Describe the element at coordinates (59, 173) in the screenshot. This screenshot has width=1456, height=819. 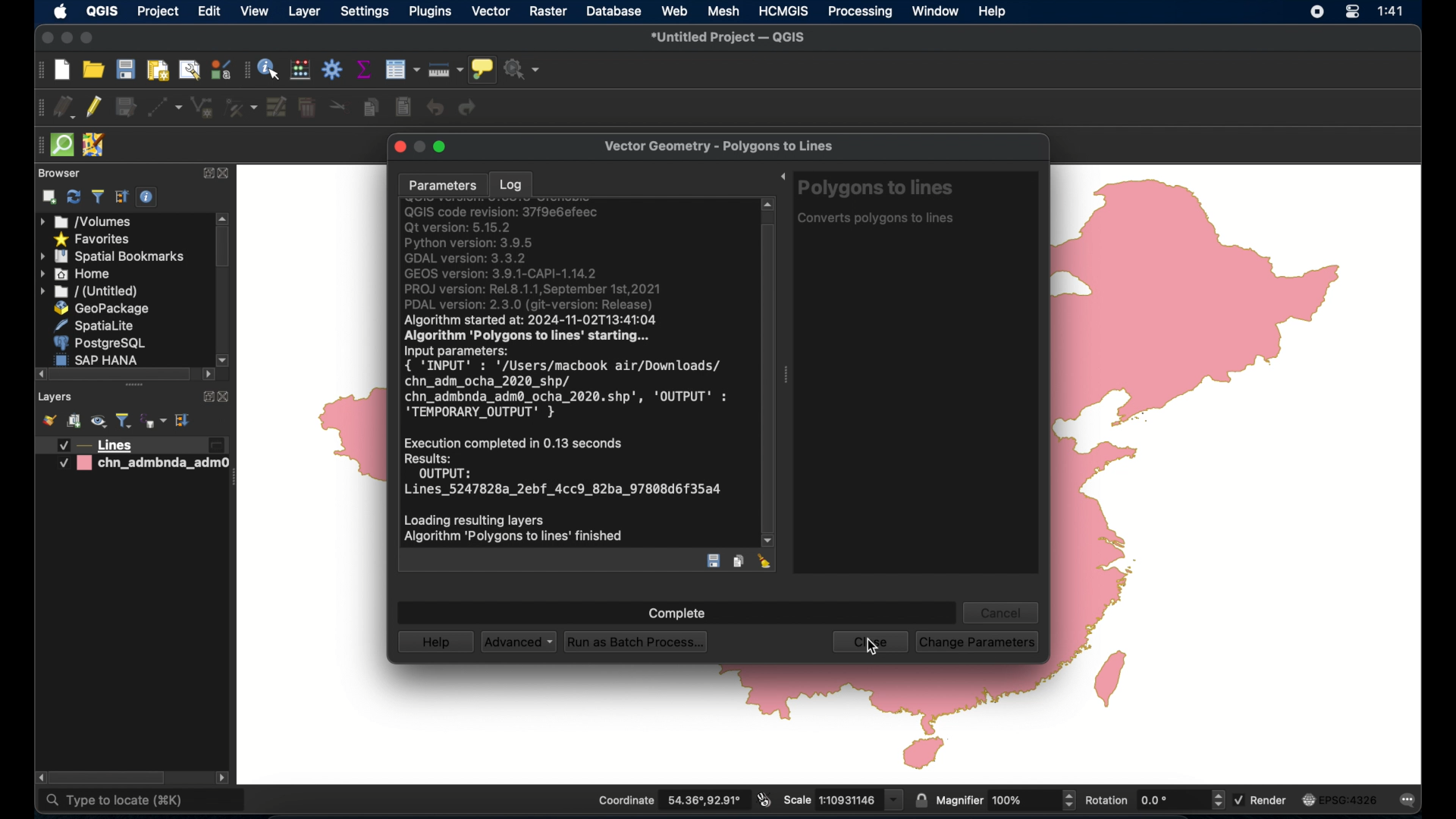
I see `browser` at that location.